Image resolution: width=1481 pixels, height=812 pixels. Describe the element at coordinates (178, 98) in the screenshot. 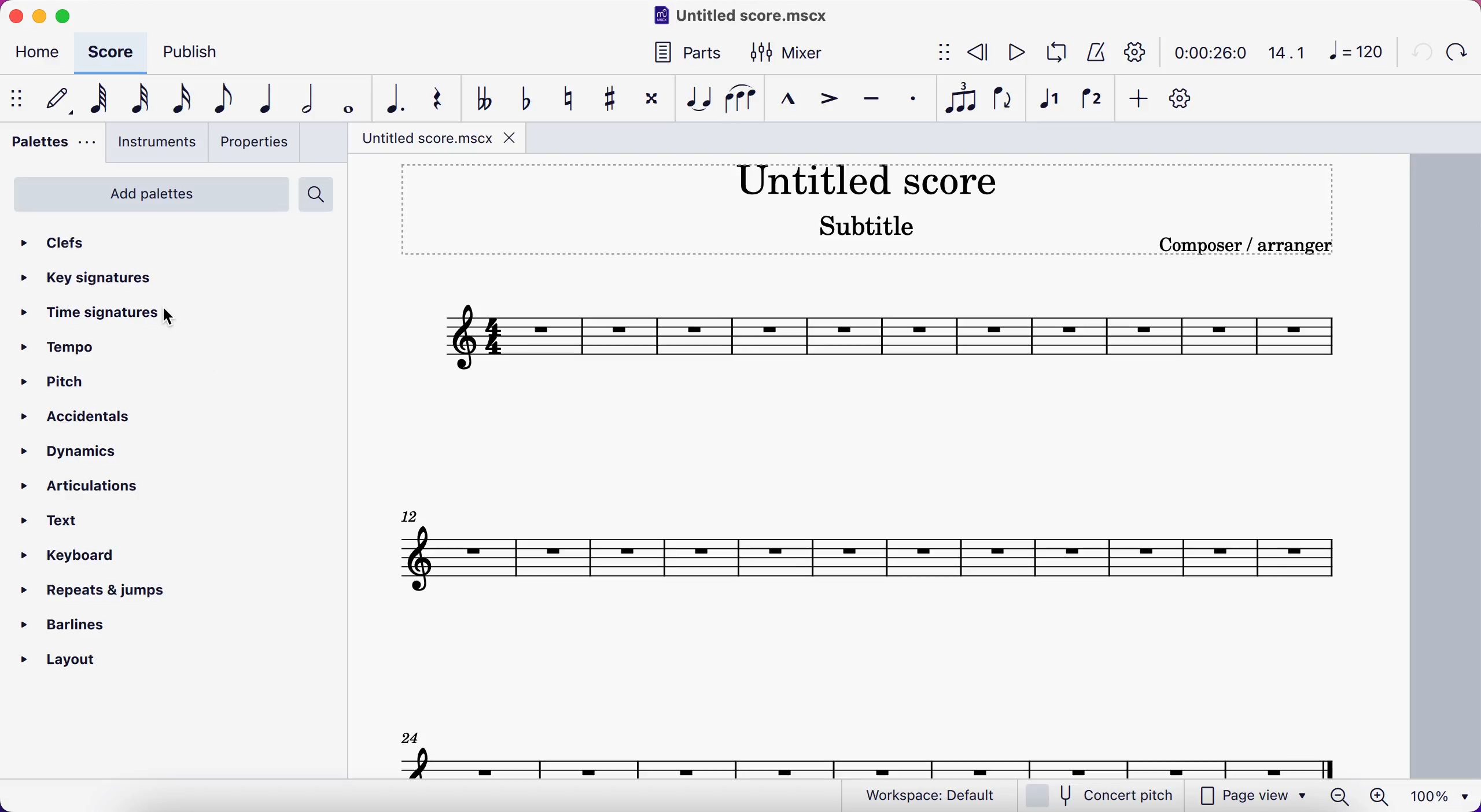

I see `16th note` at that location.